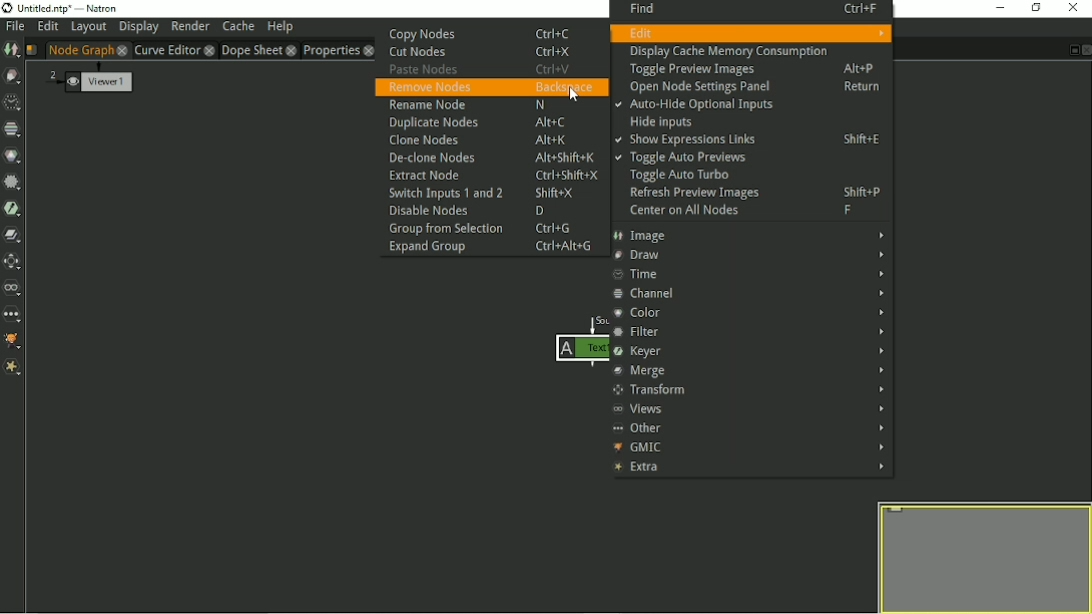 This screenshot has width=1092, height=614. What do you see at coordinates (979, 556) in the screenshot?
I see `Preview` at bounding box center [979, 556].